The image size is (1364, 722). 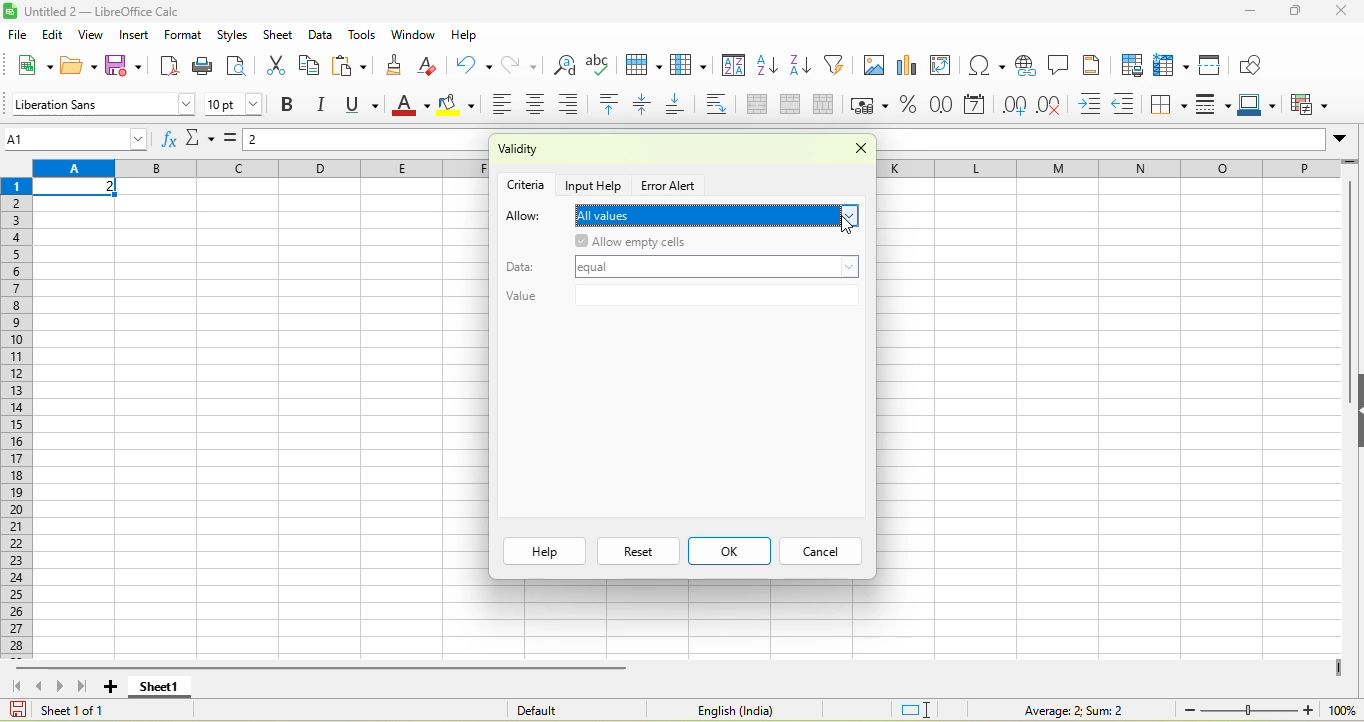 I want to click on input help, so click(x=596, y=184).